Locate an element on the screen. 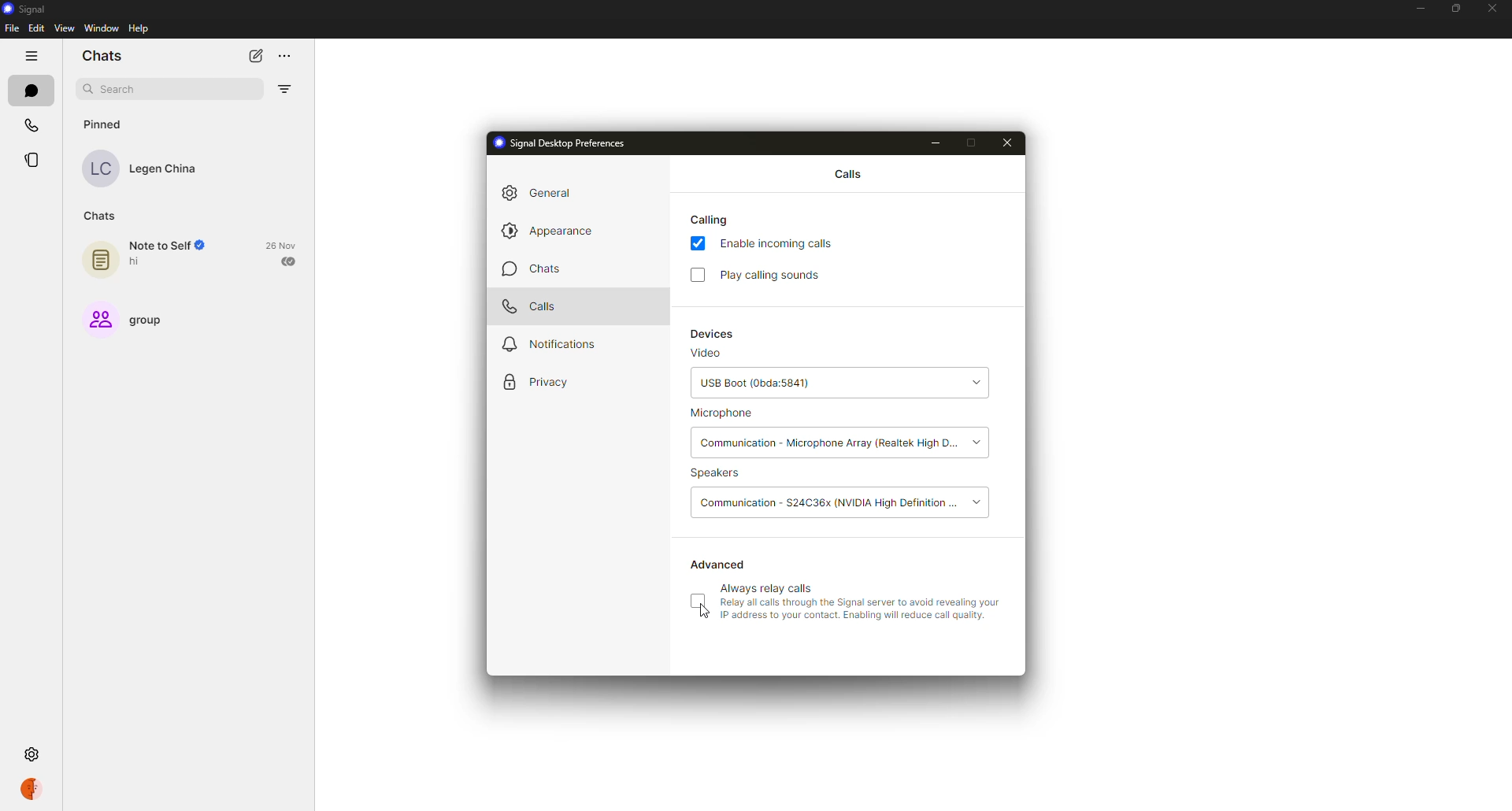 This screenshot has width=1512, height=811. filter is located at coordinates (284, 91).